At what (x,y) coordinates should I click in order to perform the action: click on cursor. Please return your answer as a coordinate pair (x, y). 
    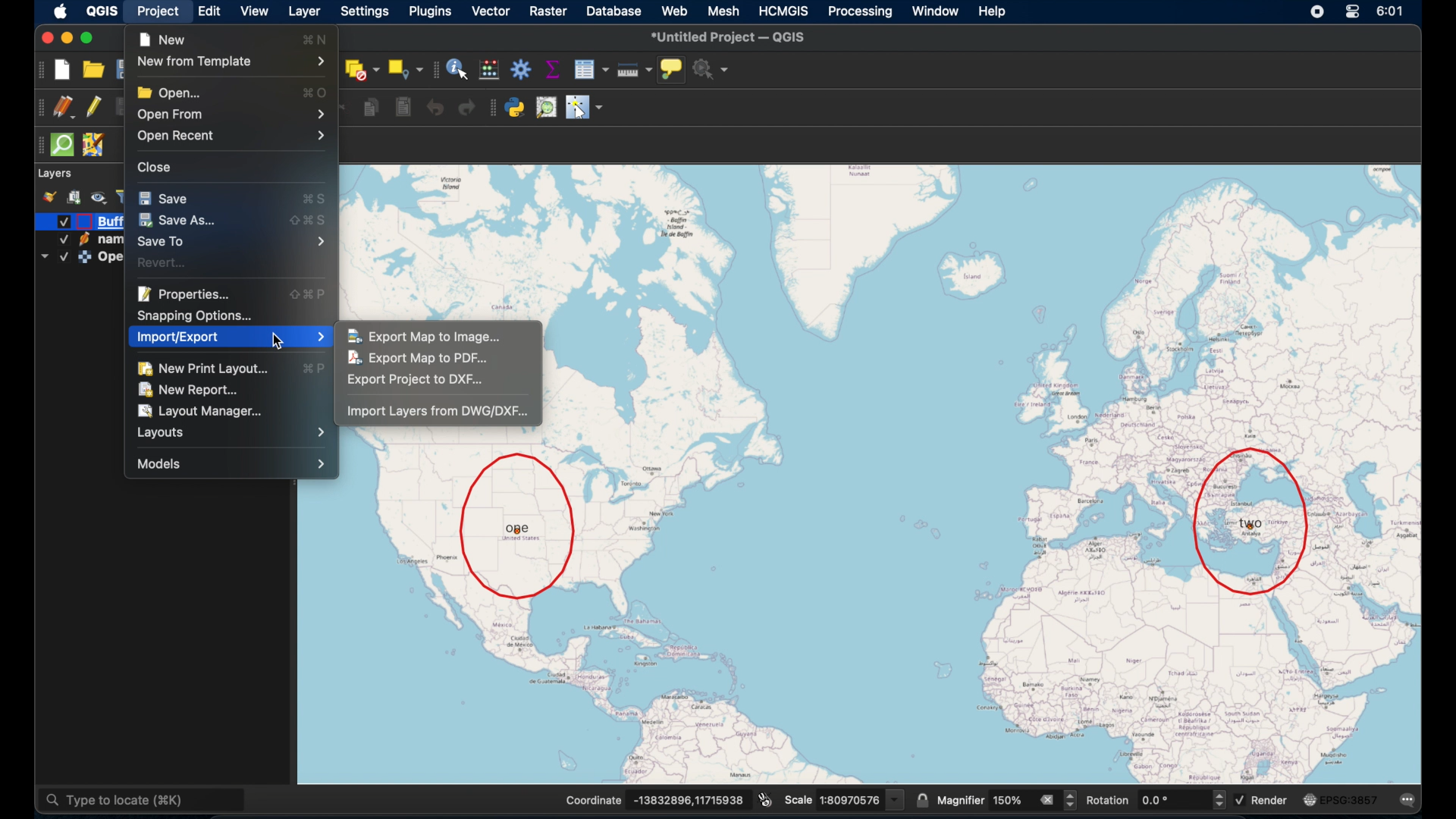
    Looking at the image, I should click on (282, 342).